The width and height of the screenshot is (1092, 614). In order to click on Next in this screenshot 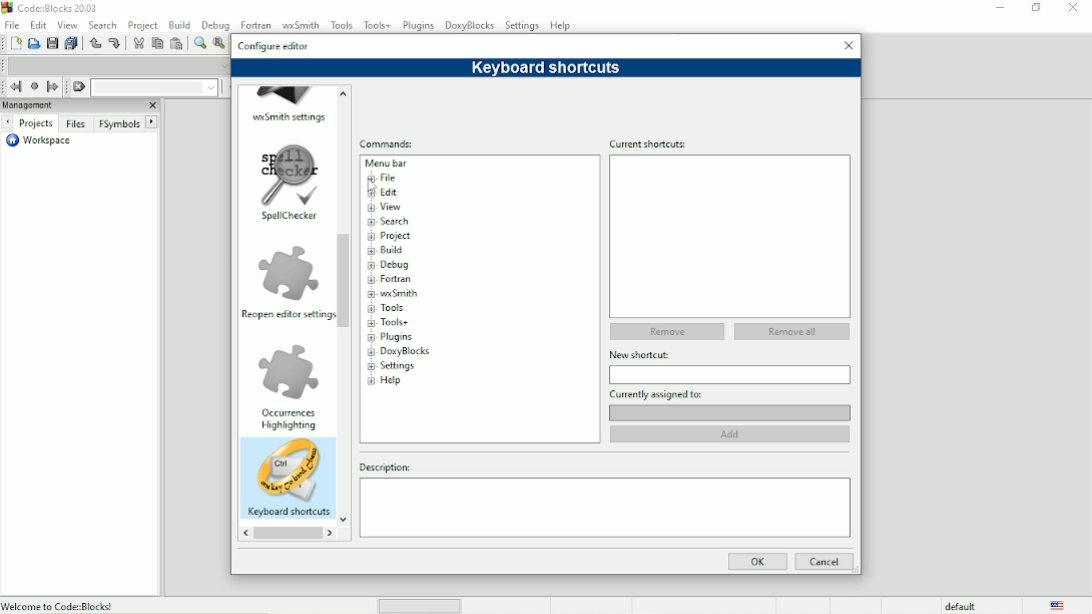, I will do `click(7, 123)`.